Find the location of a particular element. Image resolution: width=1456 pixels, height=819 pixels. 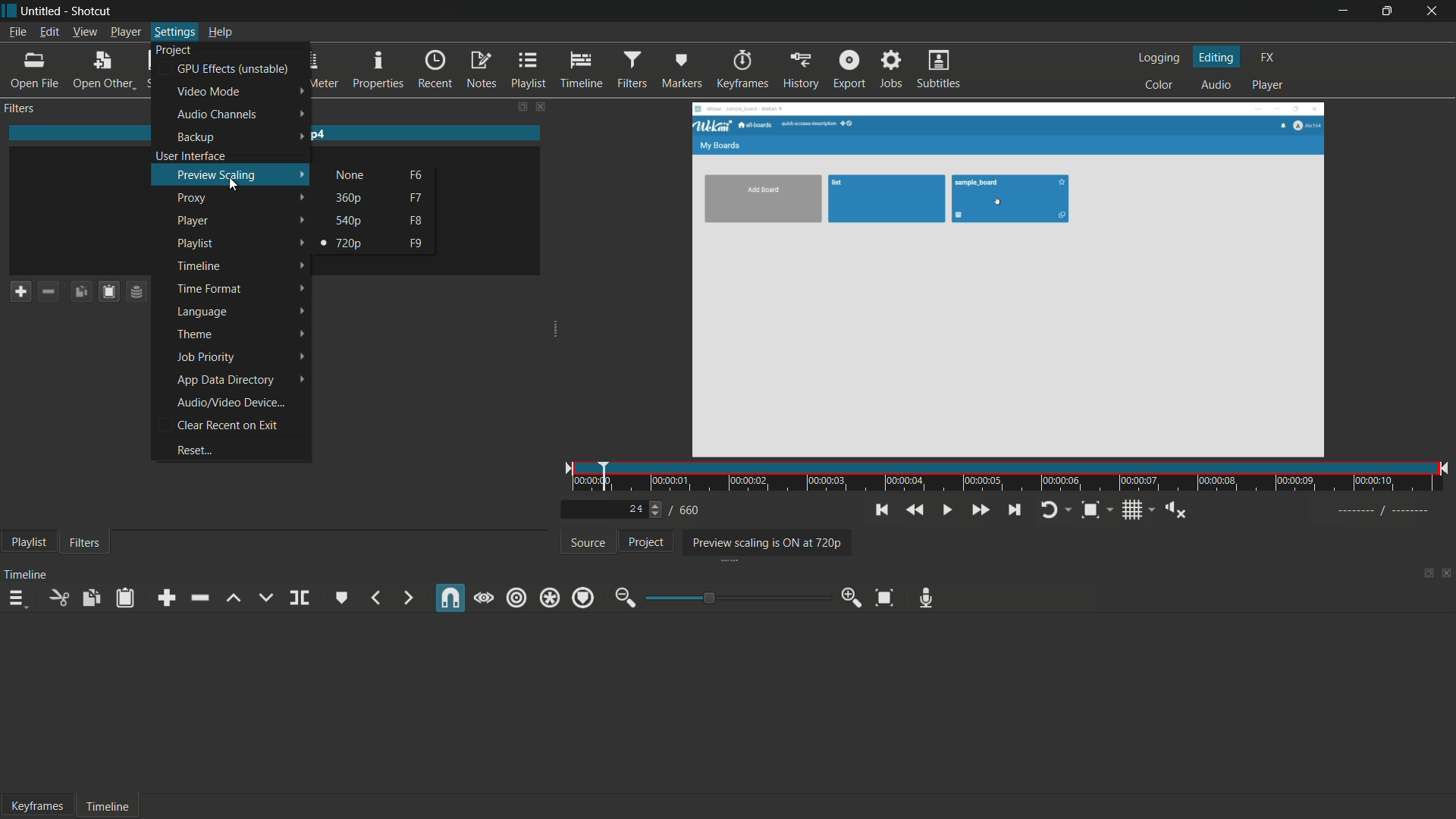

imported file name is located at coordinates (276, 134).